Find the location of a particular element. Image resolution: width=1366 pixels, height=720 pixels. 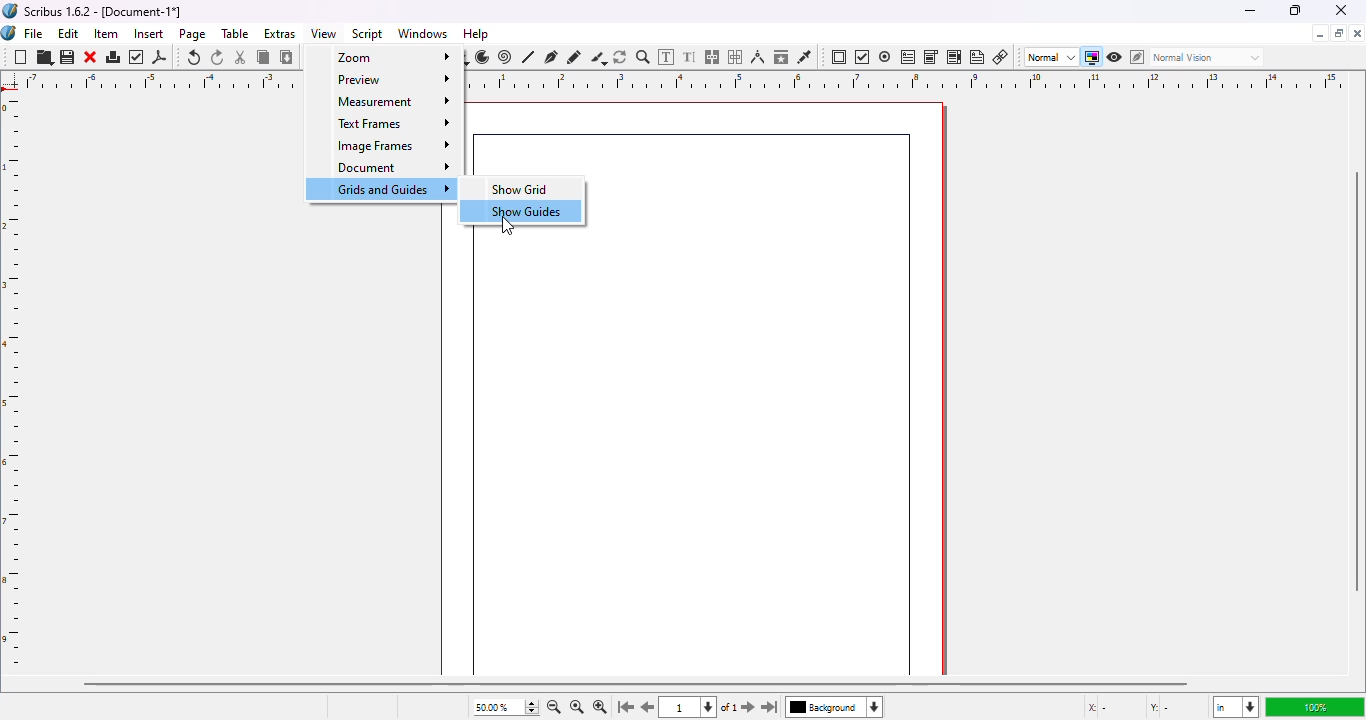

measurement is located at coordinates (382, 101).